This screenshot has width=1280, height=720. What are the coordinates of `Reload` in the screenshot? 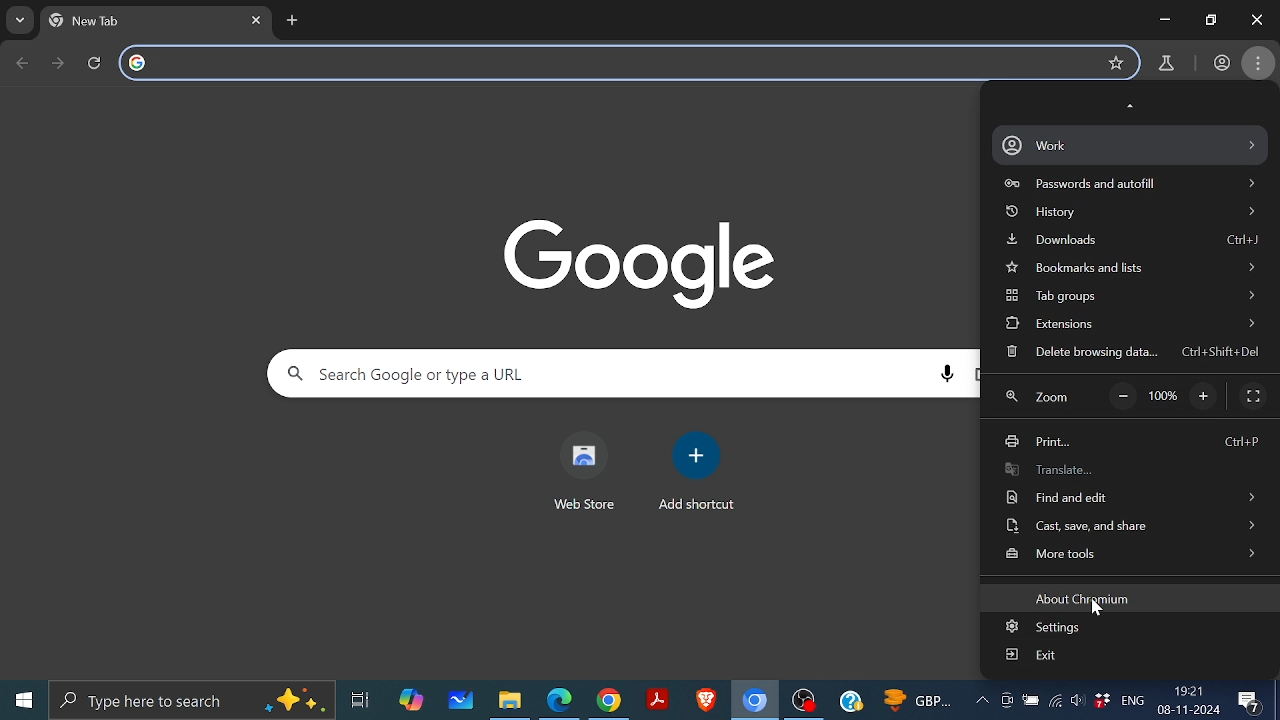 It's located at (96, 63).